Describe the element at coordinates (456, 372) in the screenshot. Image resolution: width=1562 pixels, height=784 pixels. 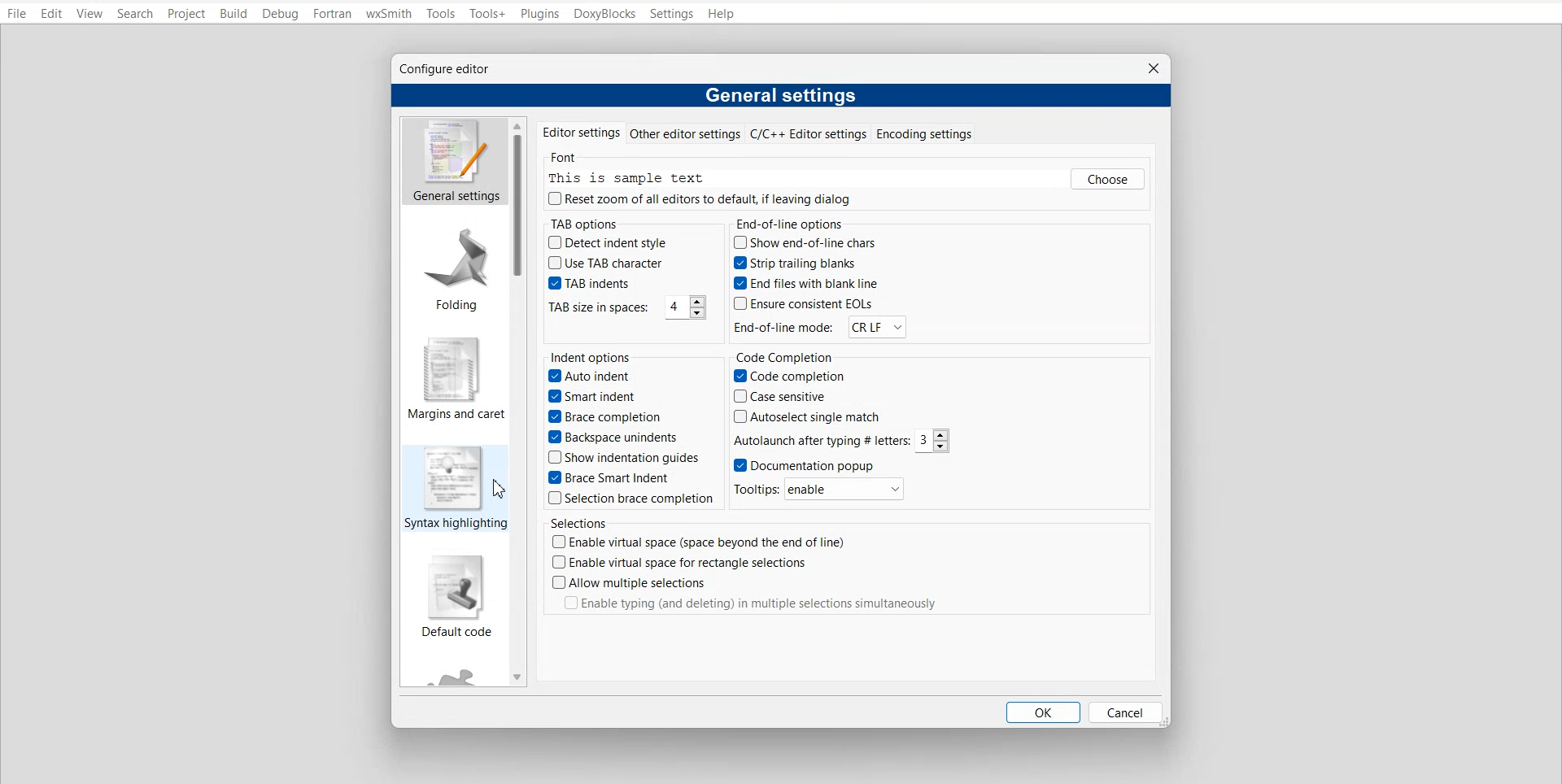
I see `Margin and caret` at that location.